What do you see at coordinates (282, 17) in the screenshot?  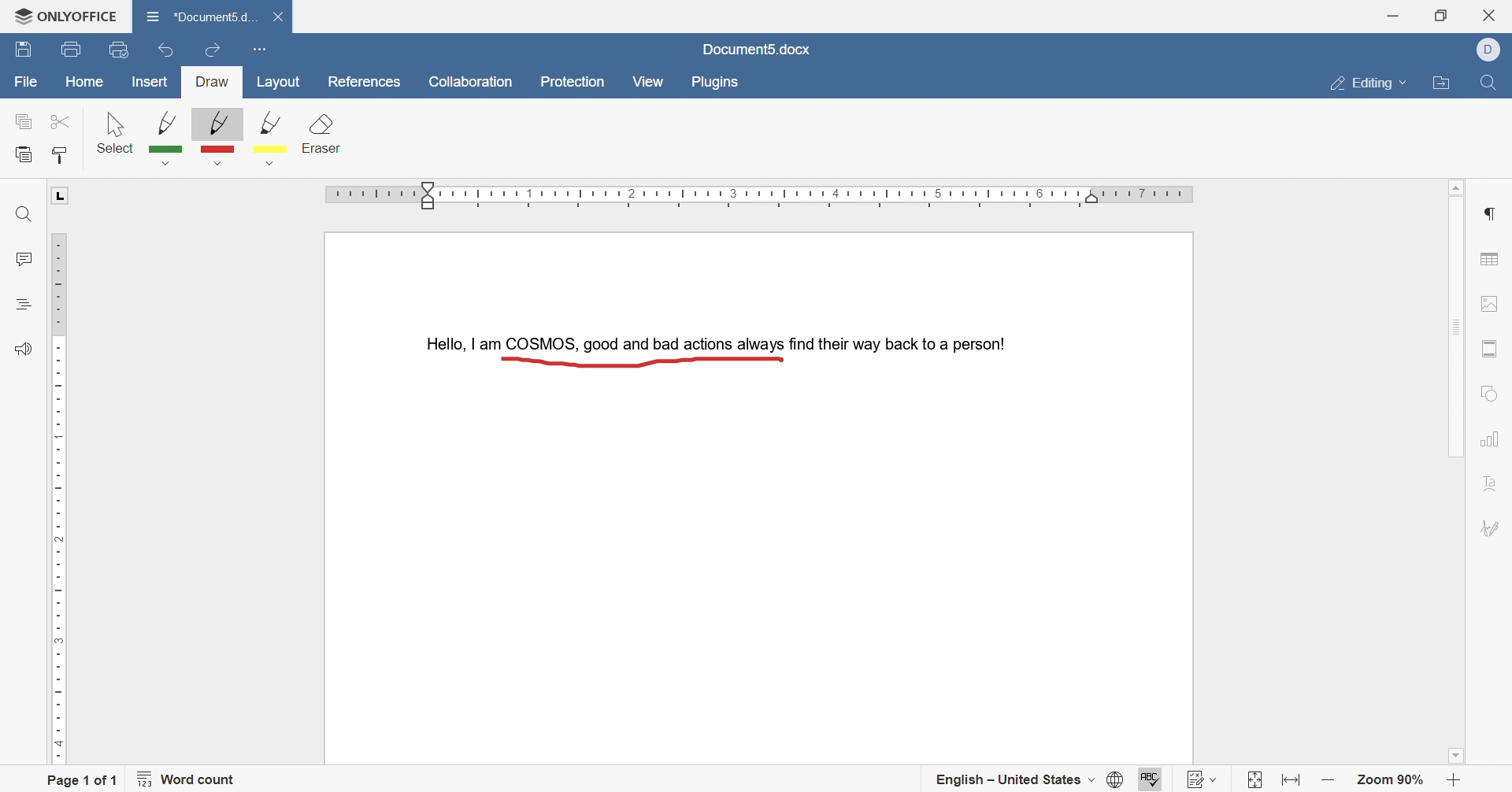 I see `close` at bounding box center [282, 17].